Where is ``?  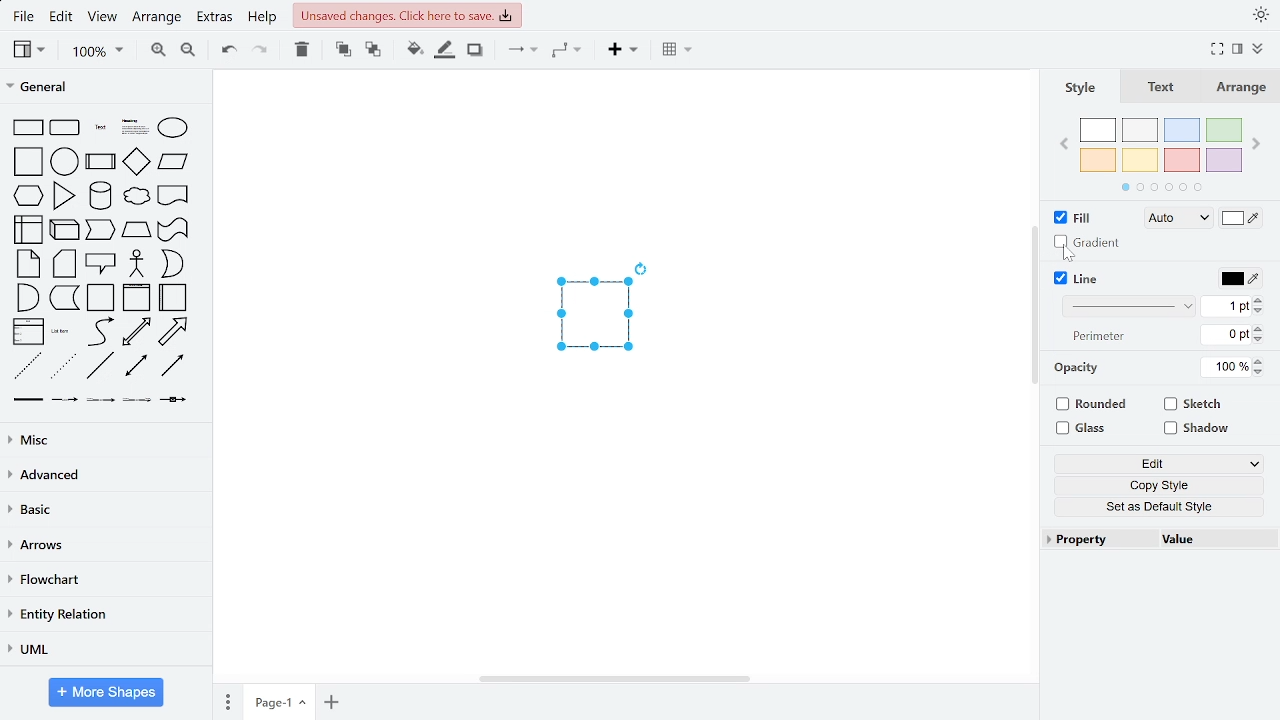  is located at coordinates (134, 400).